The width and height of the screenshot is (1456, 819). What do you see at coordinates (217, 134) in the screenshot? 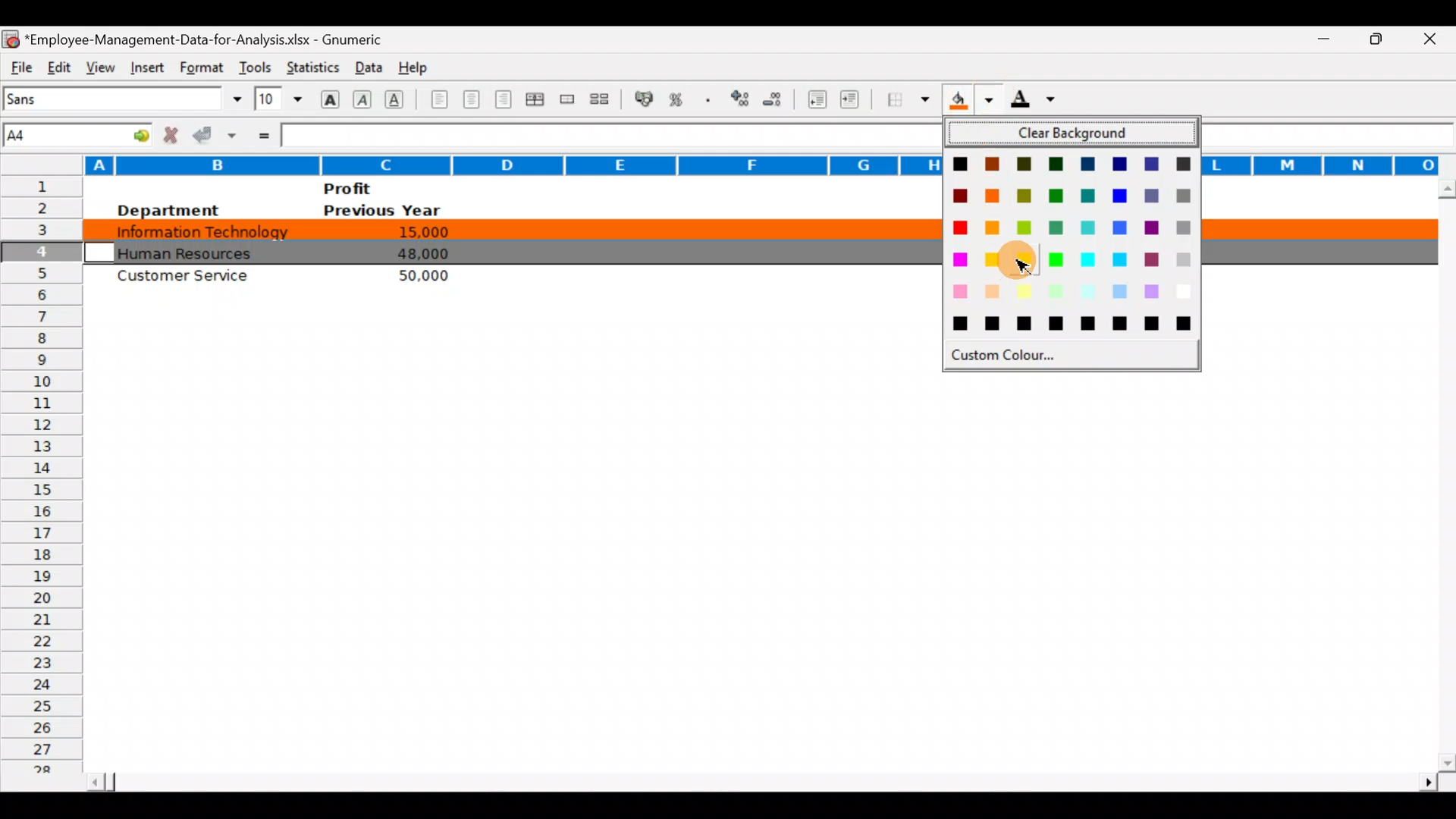
I see `Accept change` at bounding box center [217, 134].